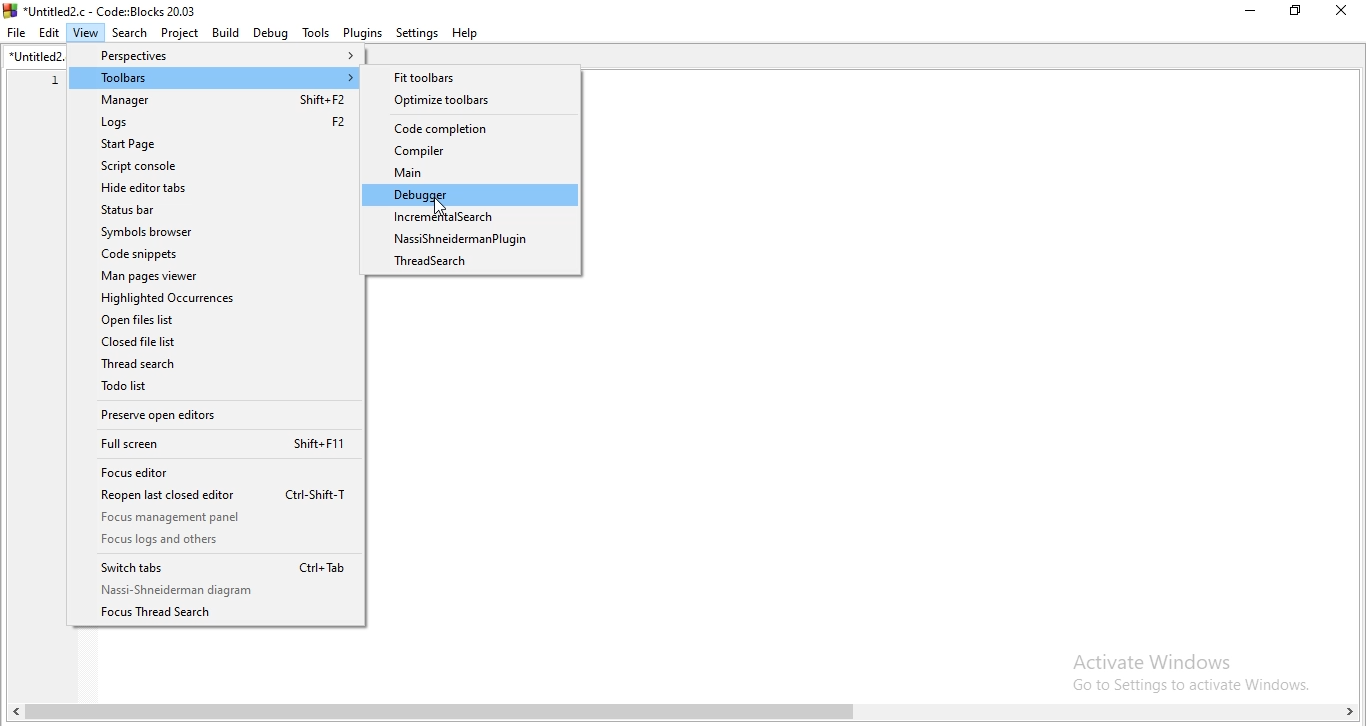 The height and width of the screenshot is (726, 1366). Describe the element at coordinates (464, 33) in the screenshot. I see `help` at that location.